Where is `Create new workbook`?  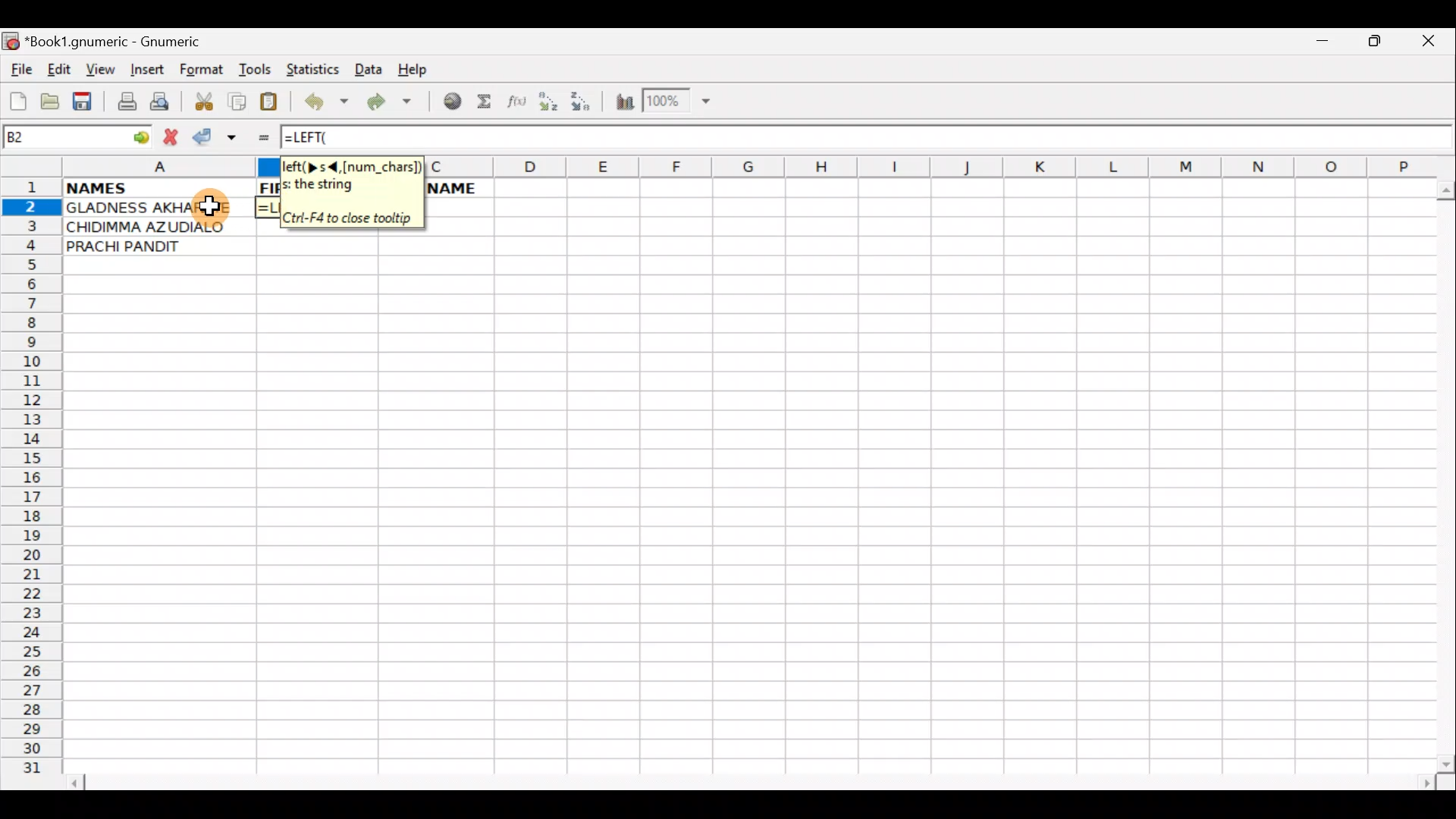 Create new workbook is located at coordinates (17, 99).